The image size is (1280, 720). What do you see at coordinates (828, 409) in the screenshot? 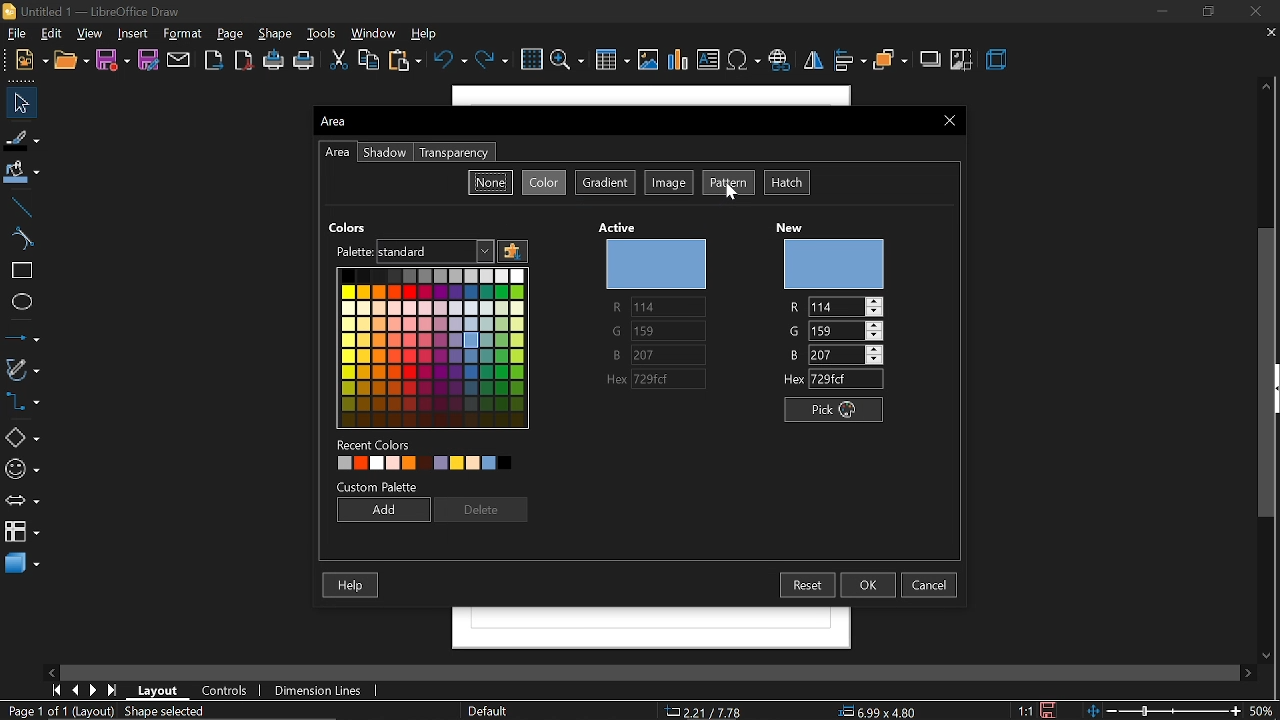
I see `new pick` at bounding box center [828, 409].